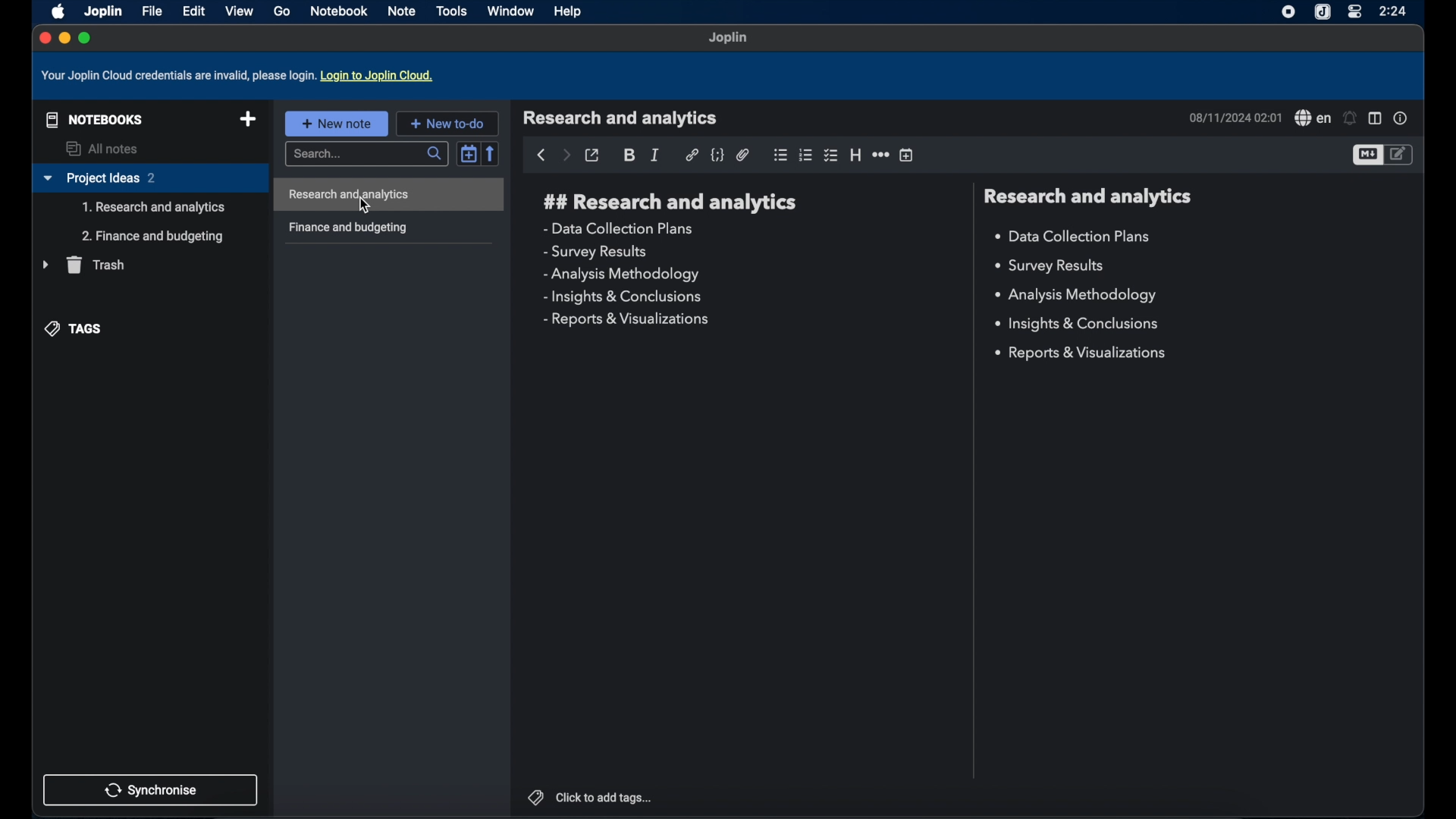  Describe the element at coordinates (340, 11) in the screenshot. I see `notebook` at that location.